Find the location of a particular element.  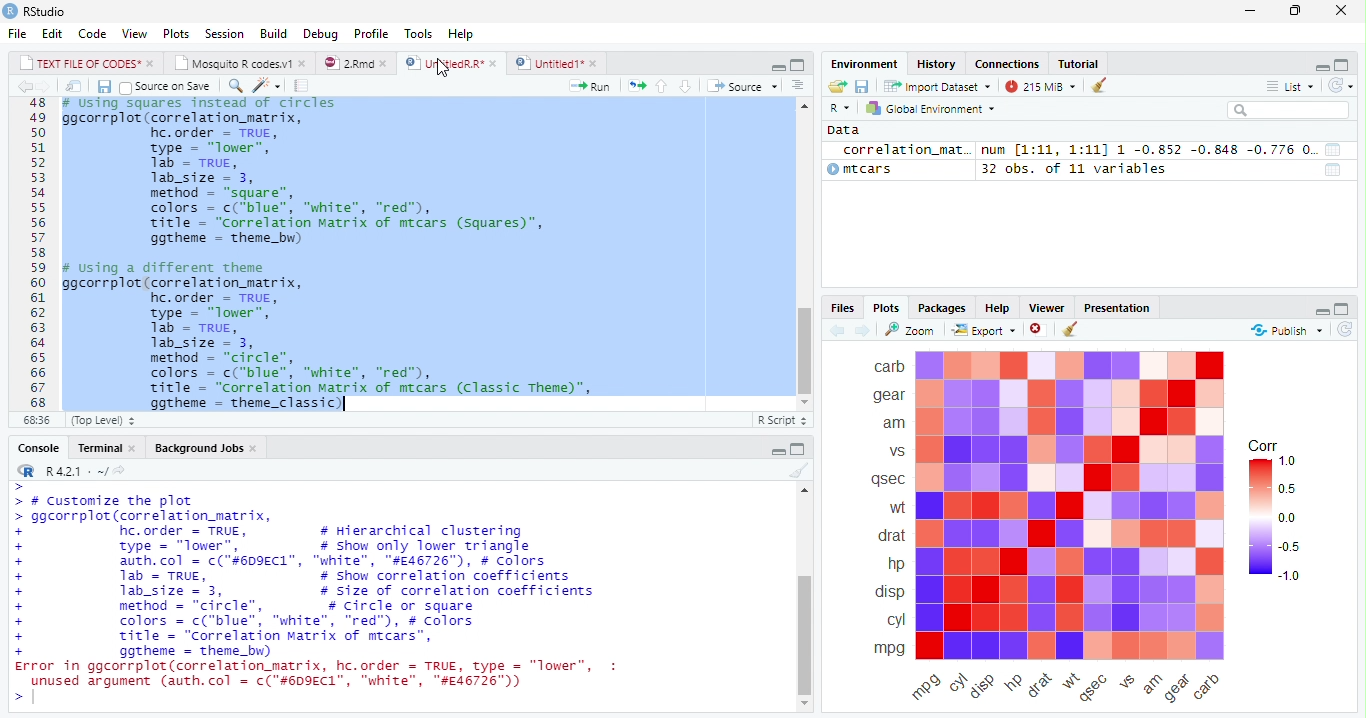

go back is located at coordinates (835, 332).